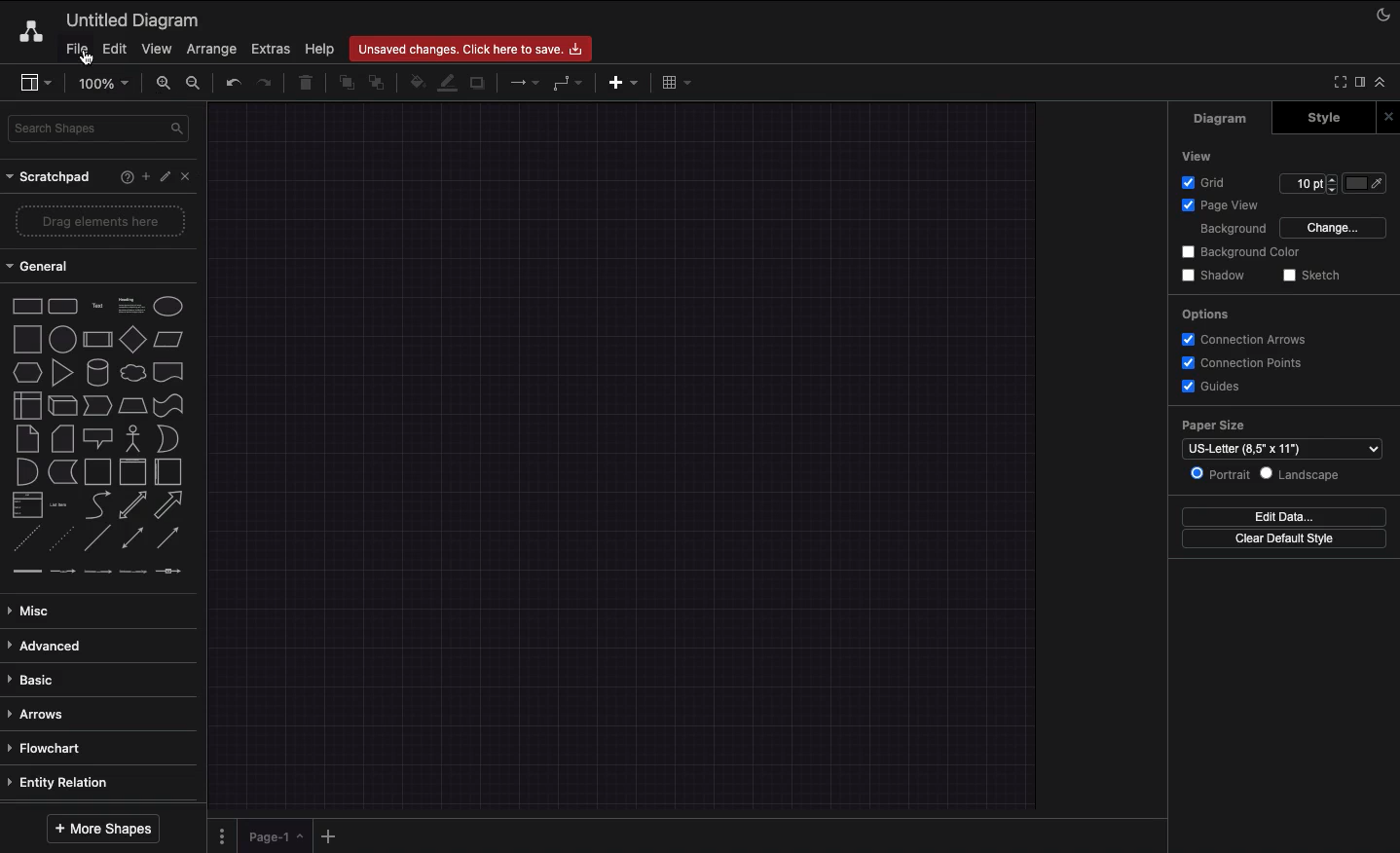 Image resolution: width=1400 pixels, height=853 pixels. What do you see at coordinates (342, 85) in the screenshot?
I see `To front` at bounding box center [342, 85].